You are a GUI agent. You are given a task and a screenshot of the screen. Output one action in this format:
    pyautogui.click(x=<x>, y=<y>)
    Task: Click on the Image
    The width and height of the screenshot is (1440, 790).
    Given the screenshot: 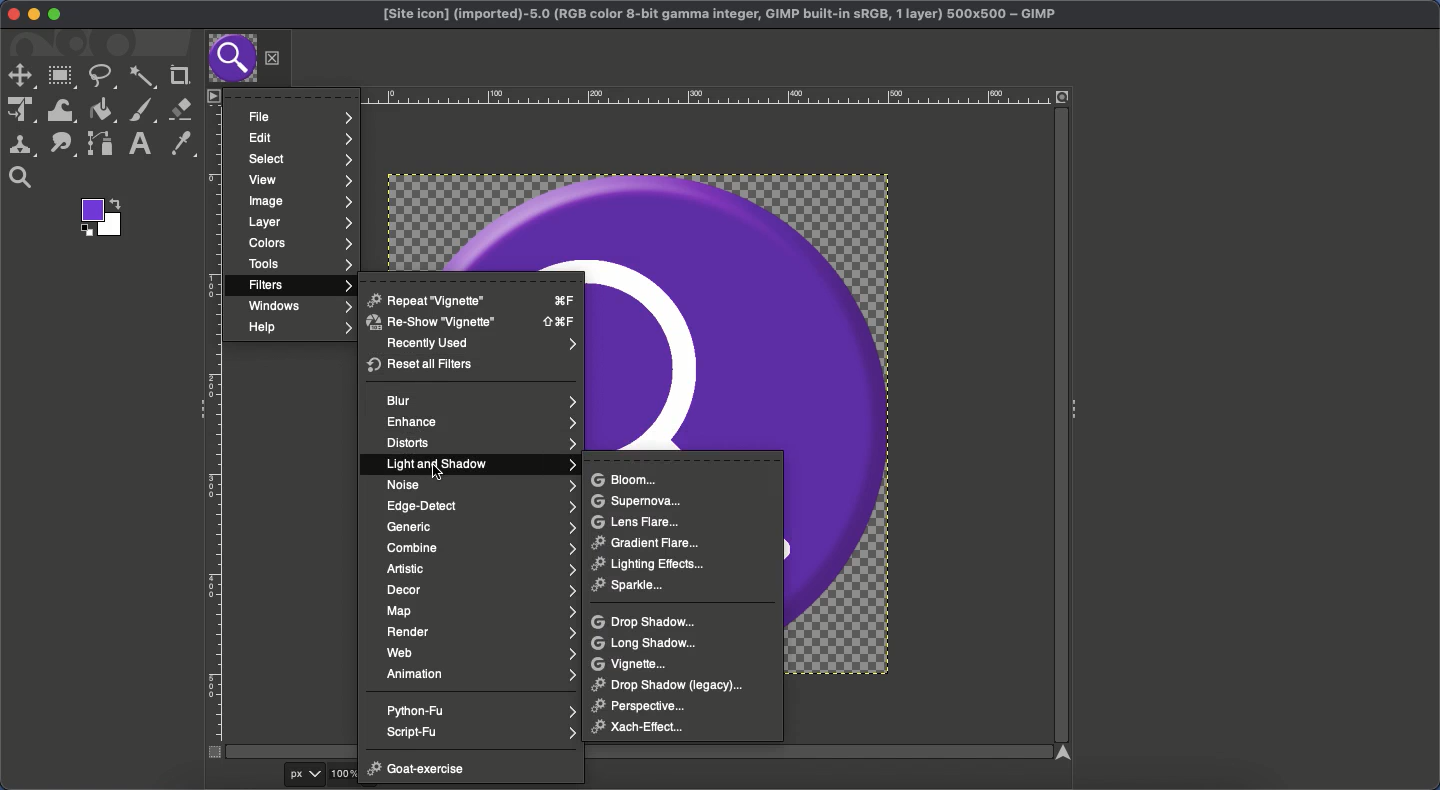 What is the action you would take?
    pyautogui.click(x=300, y=200)
    